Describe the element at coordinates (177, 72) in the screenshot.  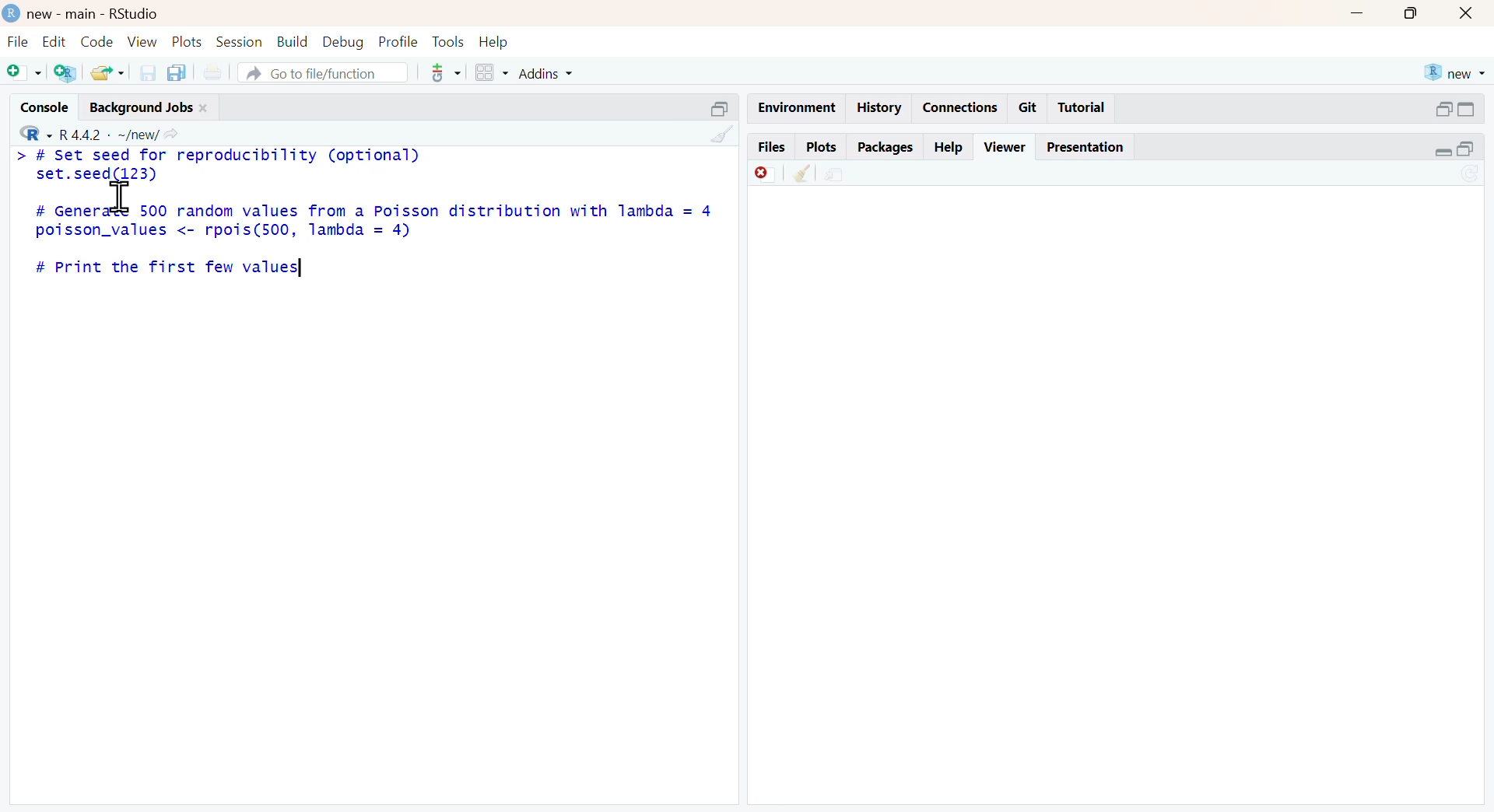
I see `copy` at that location.